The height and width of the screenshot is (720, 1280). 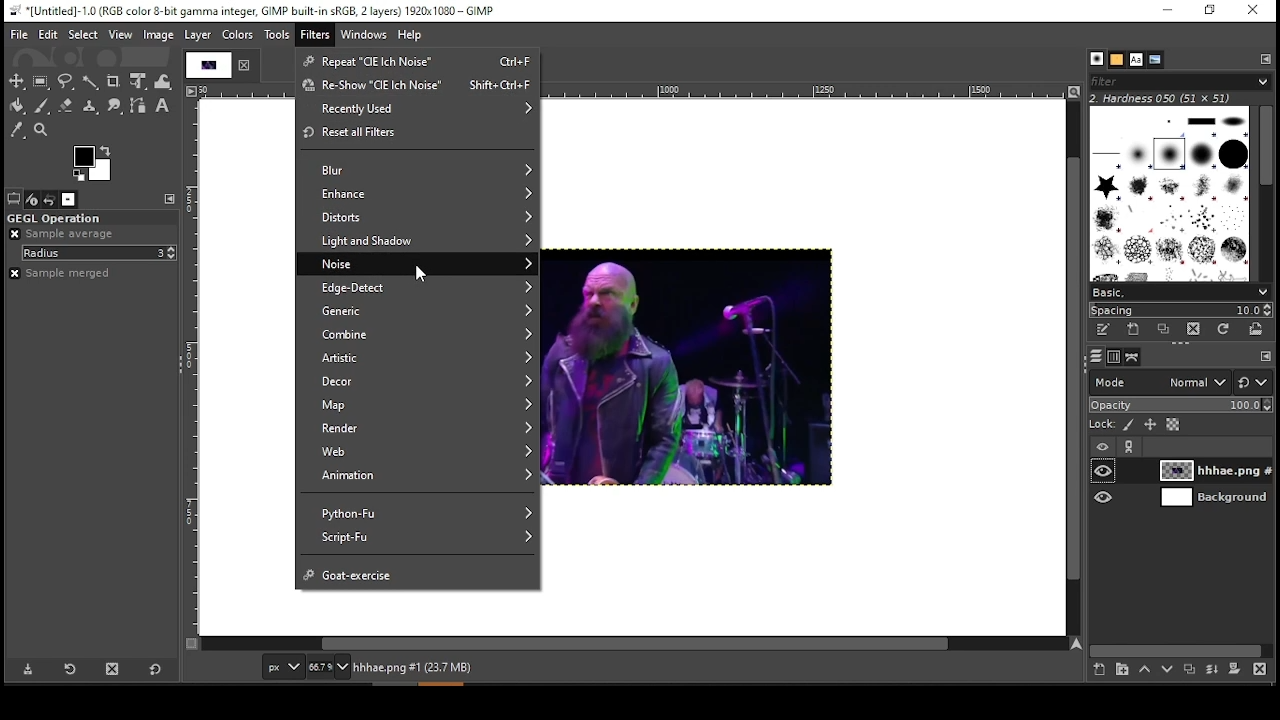 I want to click on layer visibility, so click(x=1103, y=446).